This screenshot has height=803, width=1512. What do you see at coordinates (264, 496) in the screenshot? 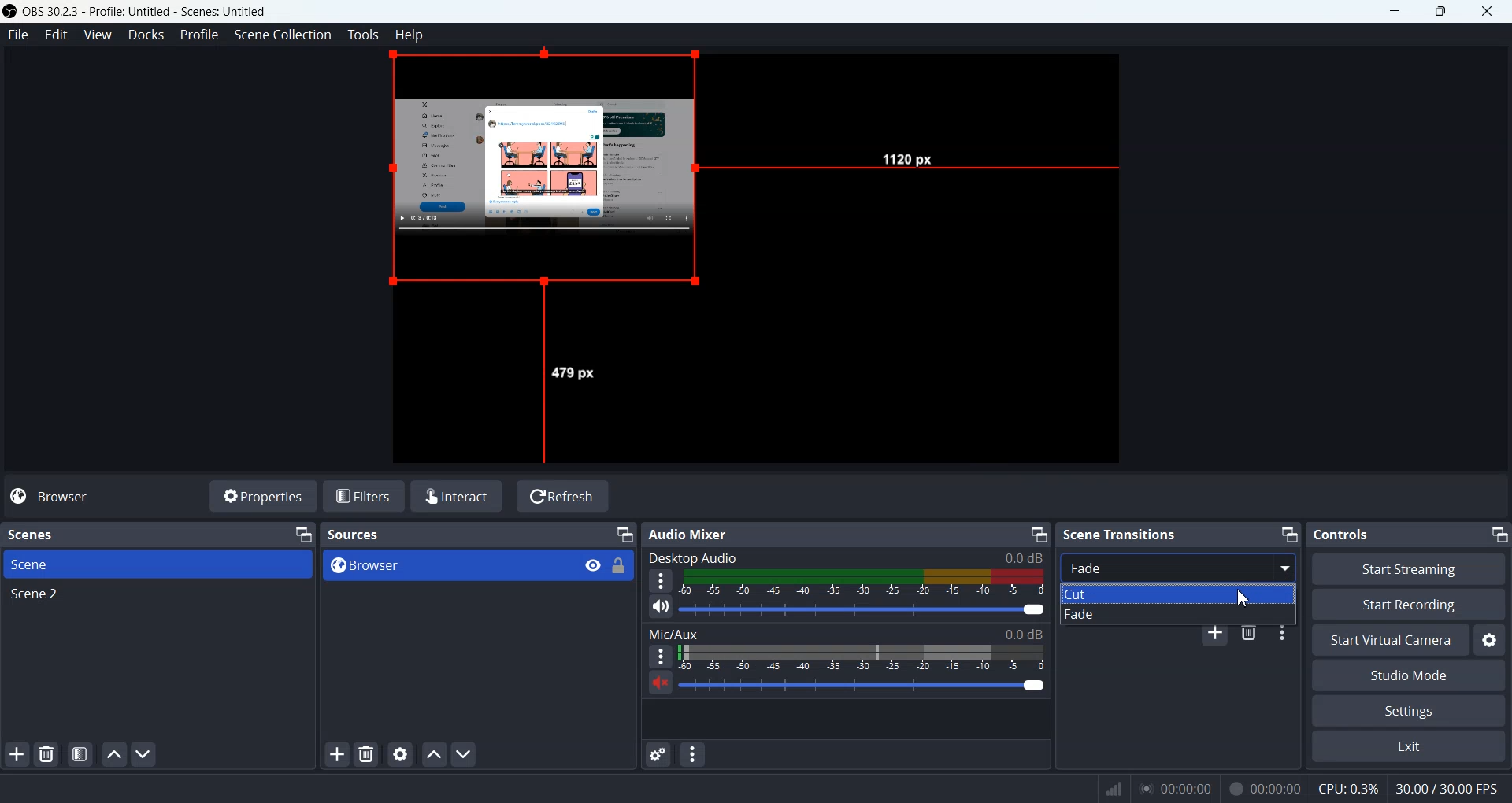
I see `Properties` at bounding box center [264, 496].